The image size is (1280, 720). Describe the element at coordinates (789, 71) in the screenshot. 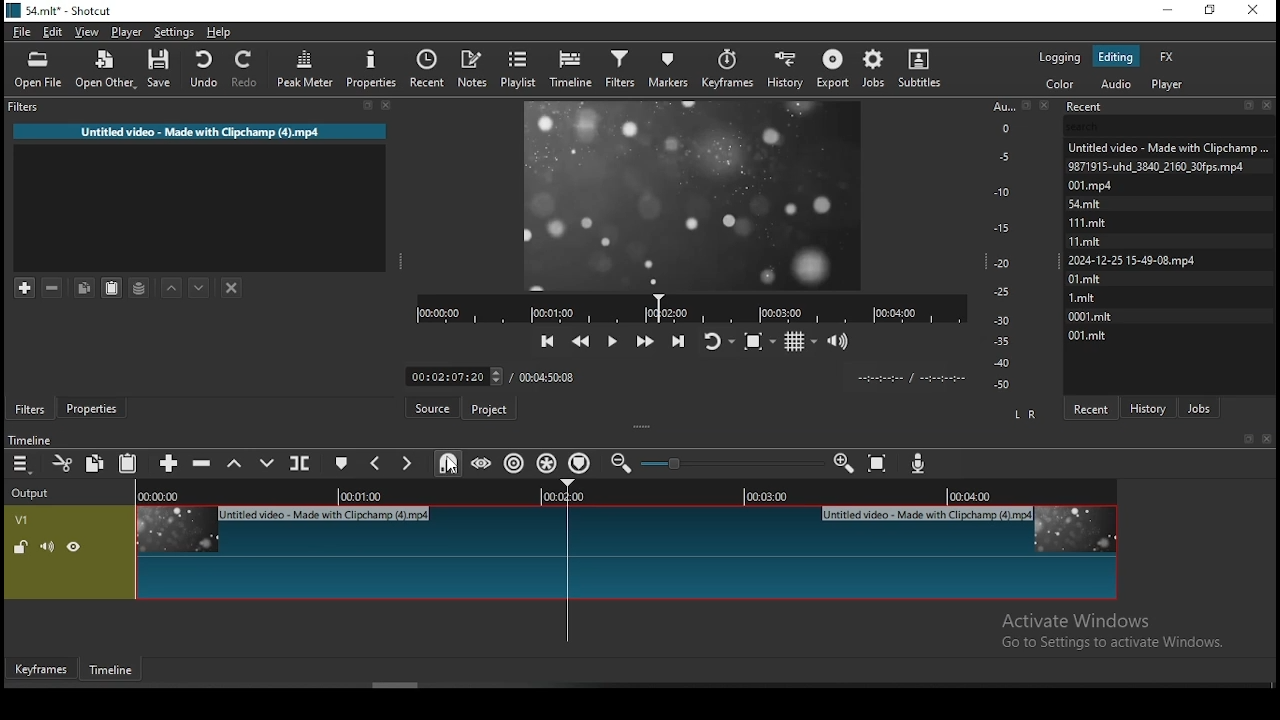

I see `history` at that location.